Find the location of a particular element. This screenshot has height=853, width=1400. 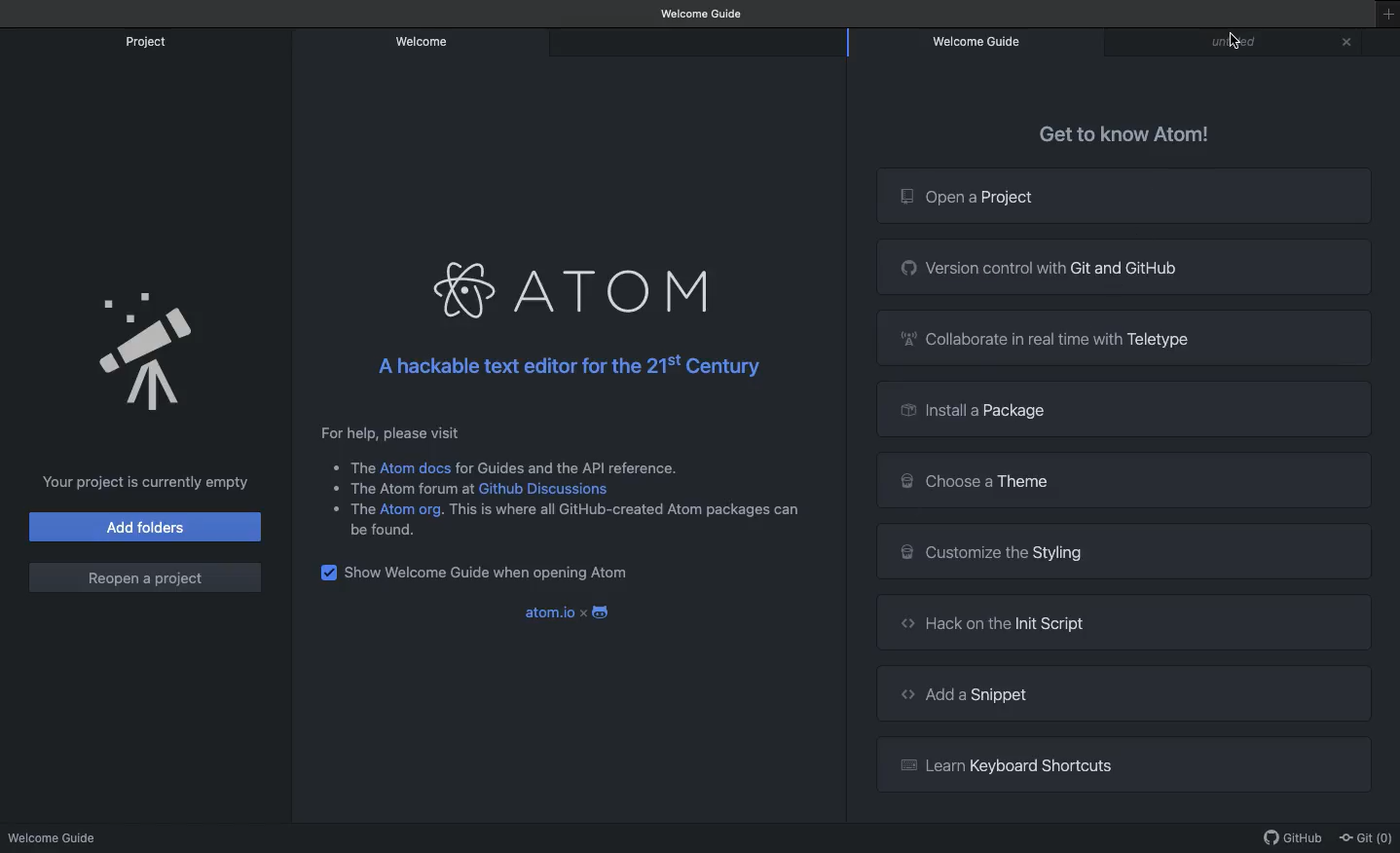

Welcome is located at coordinates (425, 45).